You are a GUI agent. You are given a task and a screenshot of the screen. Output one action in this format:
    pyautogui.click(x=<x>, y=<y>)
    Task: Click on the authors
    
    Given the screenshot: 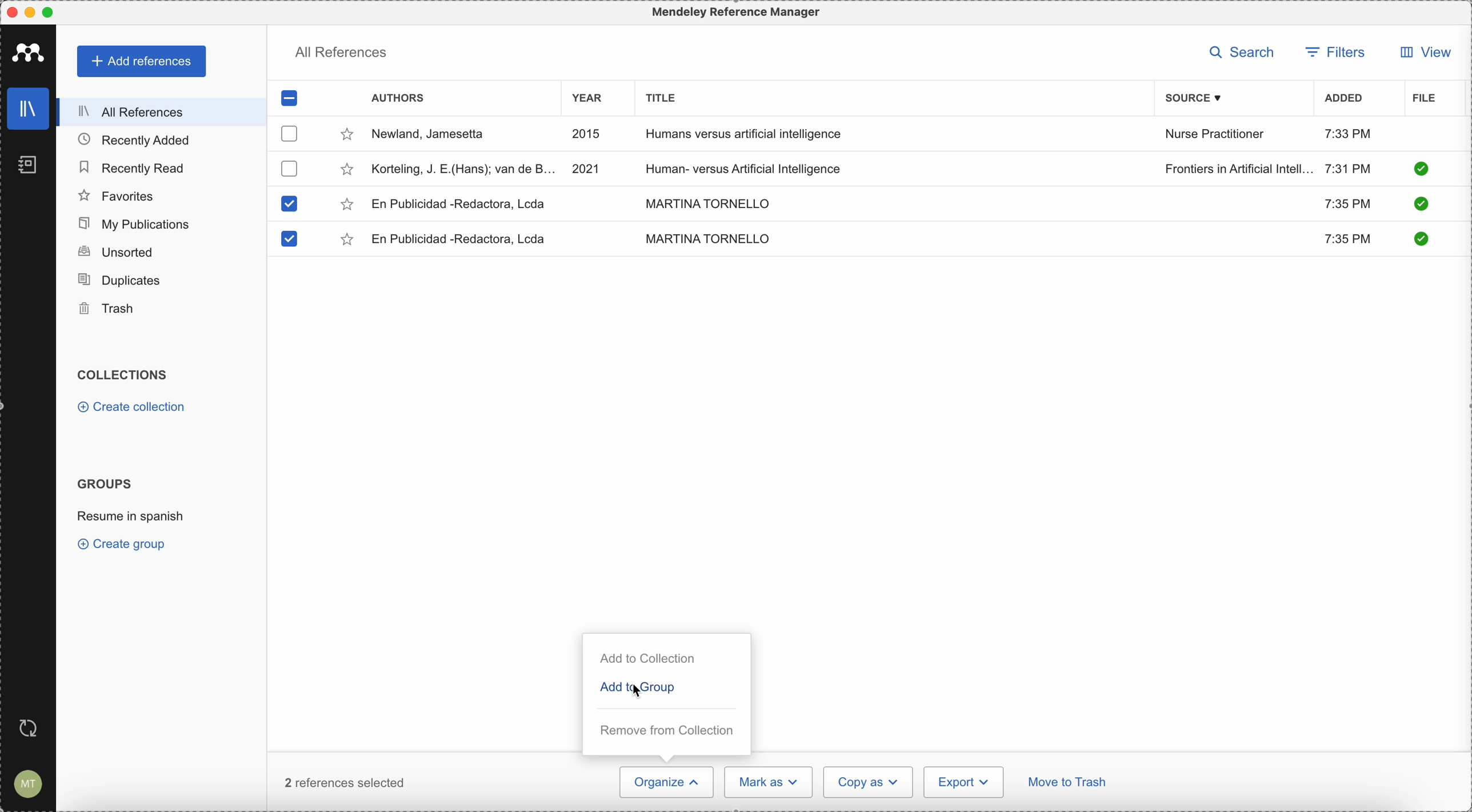 What is the action you would take?
    pyautogui.click(x=398, y=99)
    